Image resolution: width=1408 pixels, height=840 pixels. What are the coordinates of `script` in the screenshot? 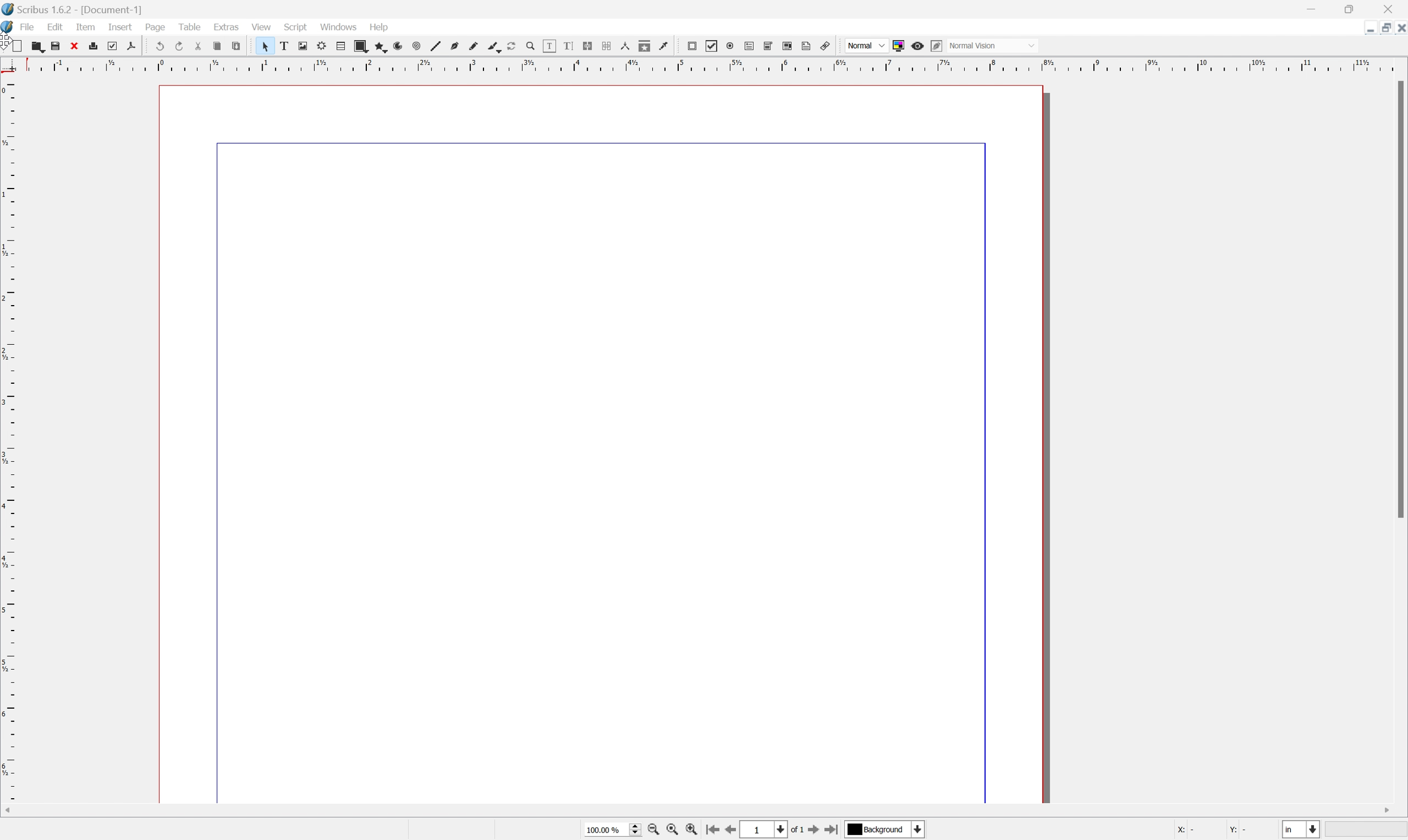 It's located at (297, 28).